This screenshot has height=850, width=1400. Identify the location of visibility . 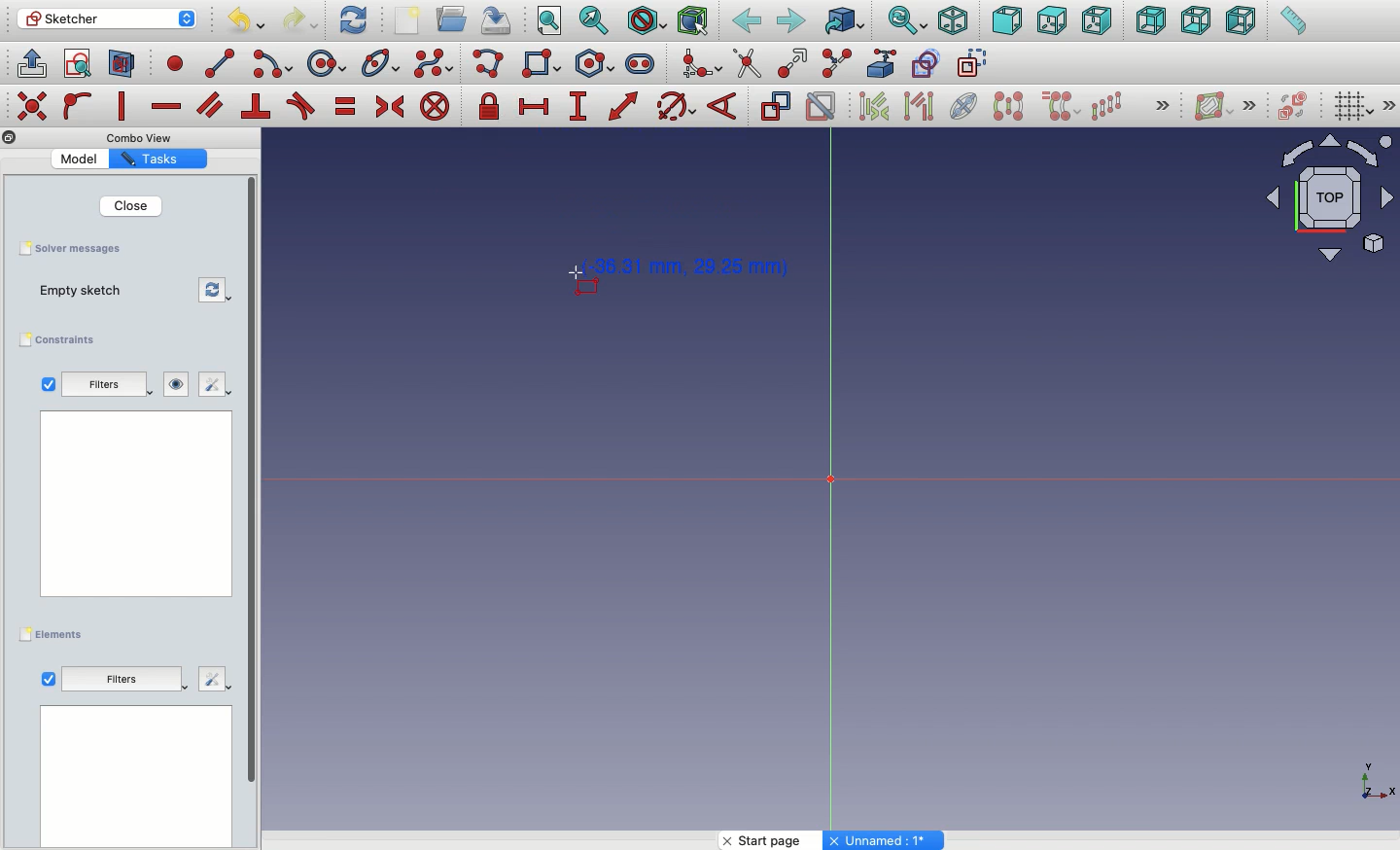
(177, 384).